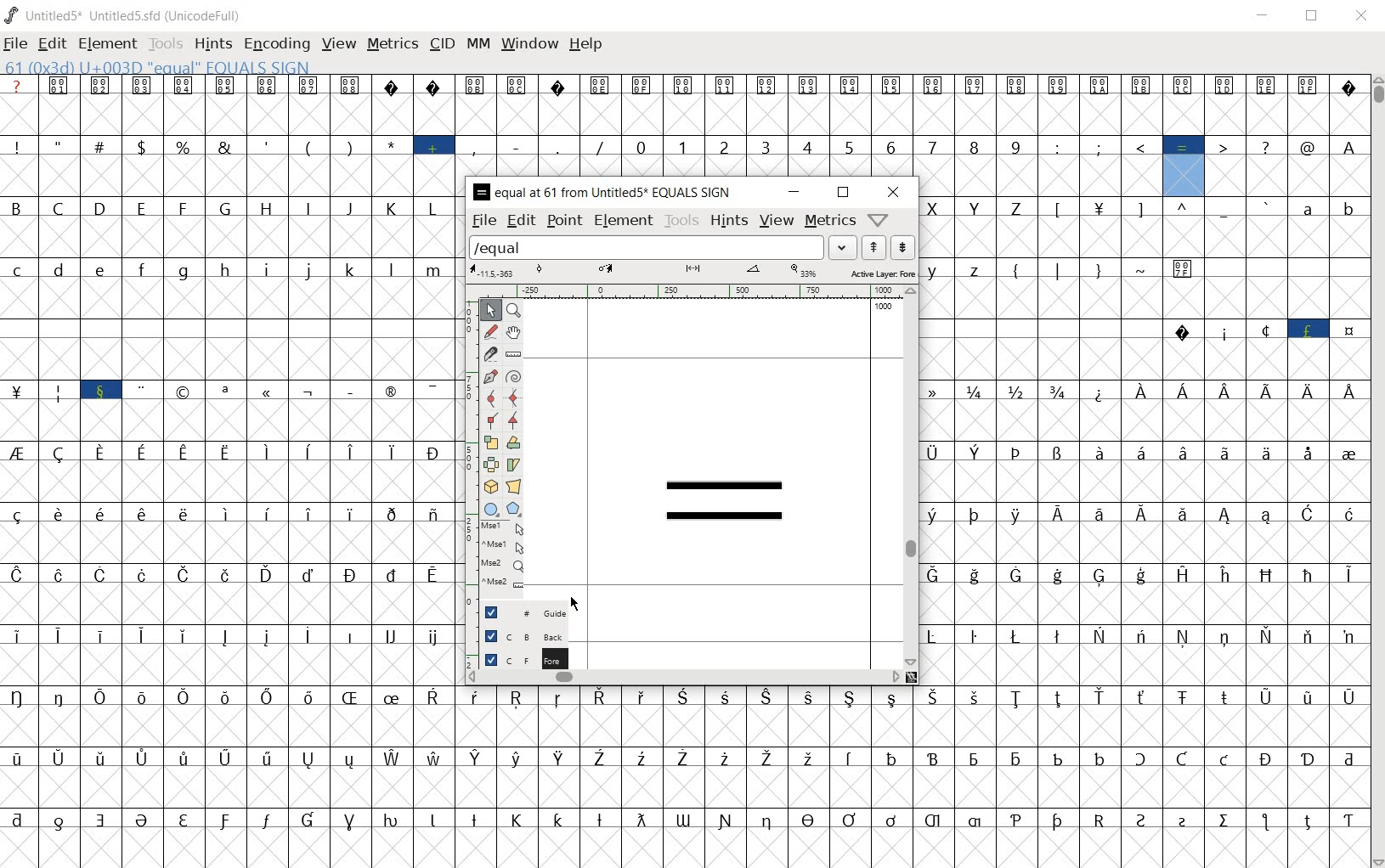  What do you see at coordinates (105, 42) in the screenshot?
I see `element` at bounding box center [105, 42].